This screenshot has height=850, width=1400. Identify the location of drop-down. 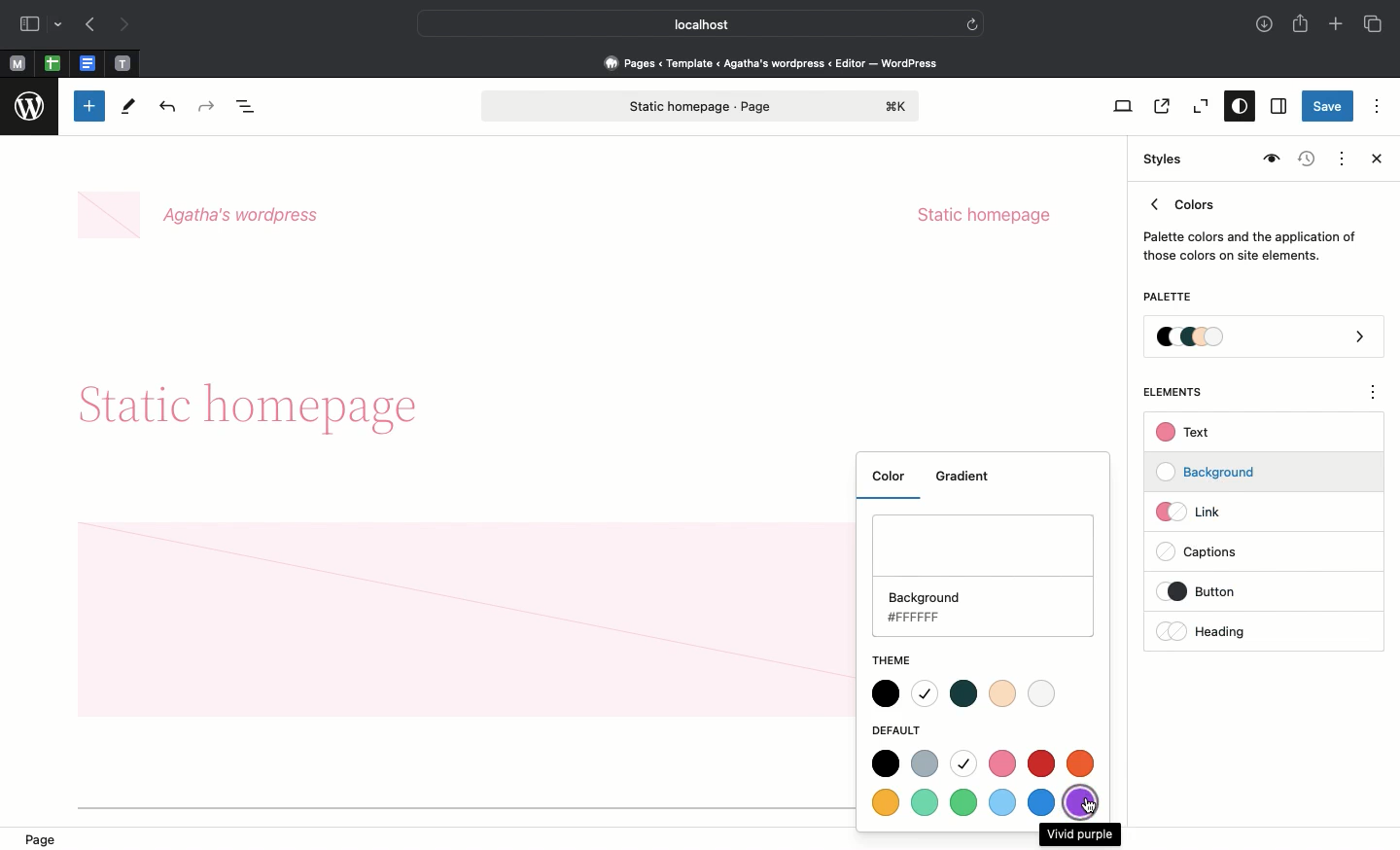
(61, 25).